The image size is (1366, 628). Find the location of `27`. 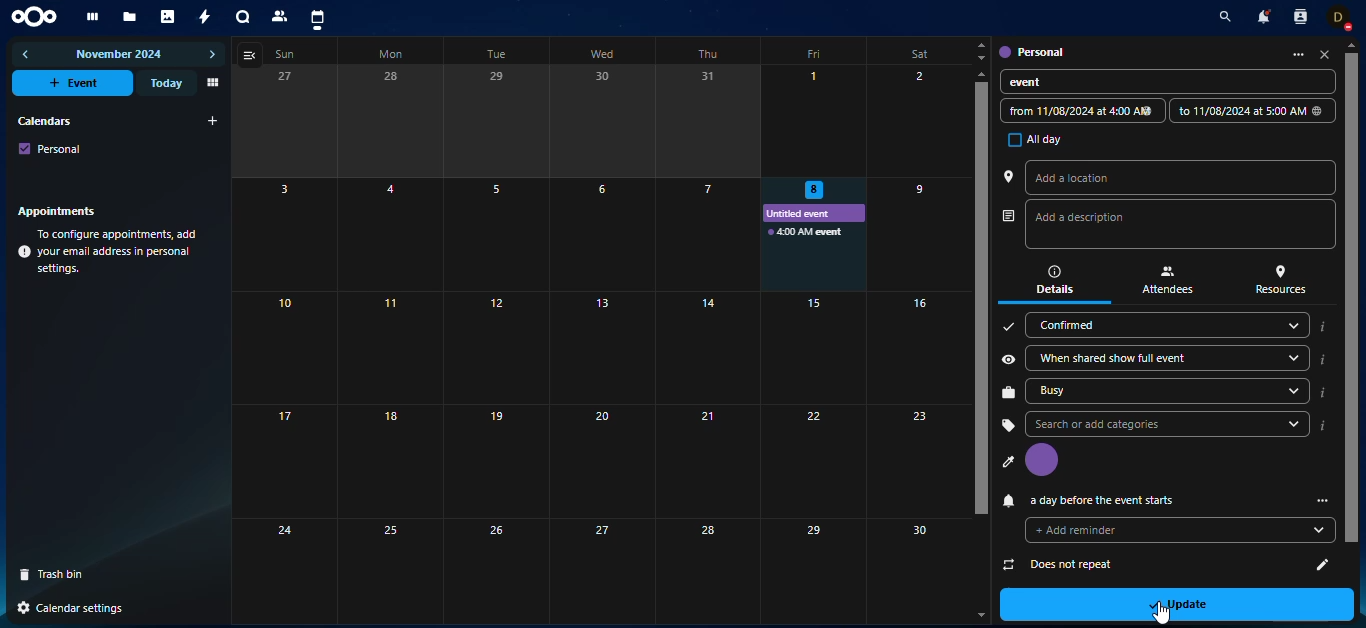

27 is located at coordinates (282, 123).